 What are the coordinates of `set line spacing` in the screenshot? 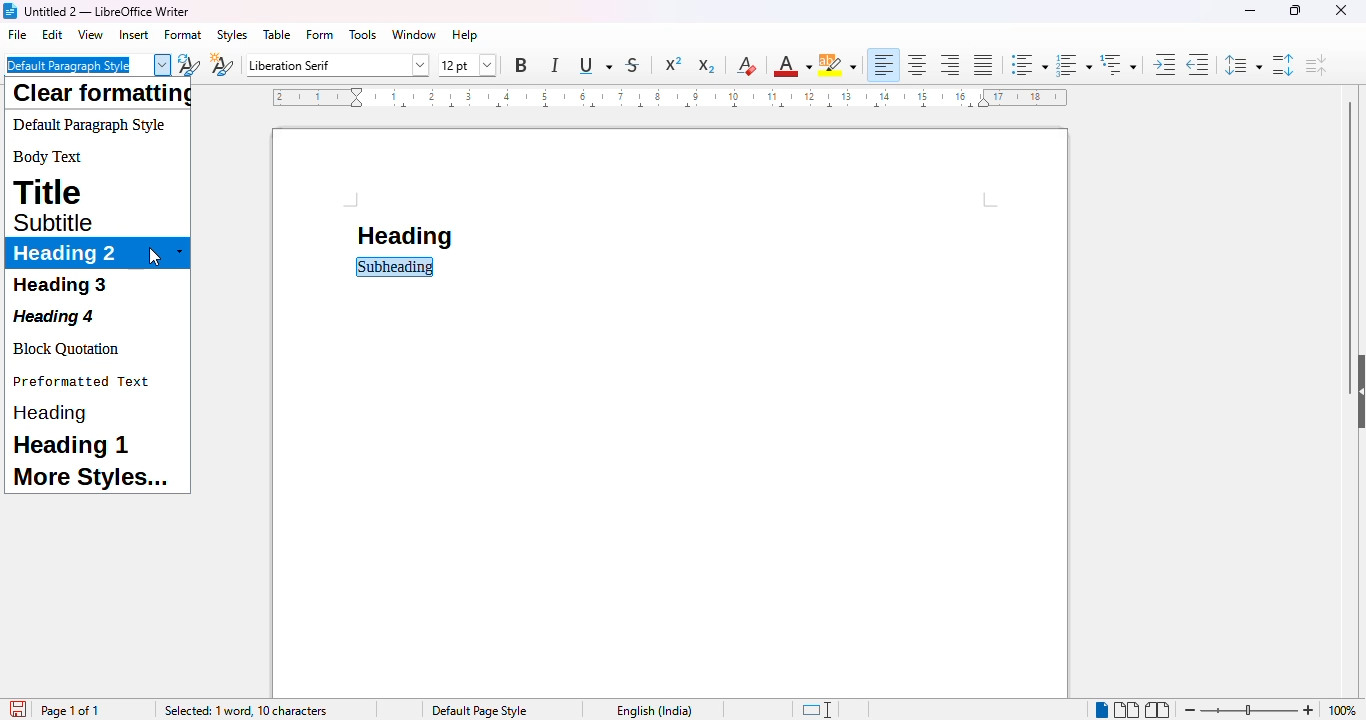 It's located at (1241, 65).